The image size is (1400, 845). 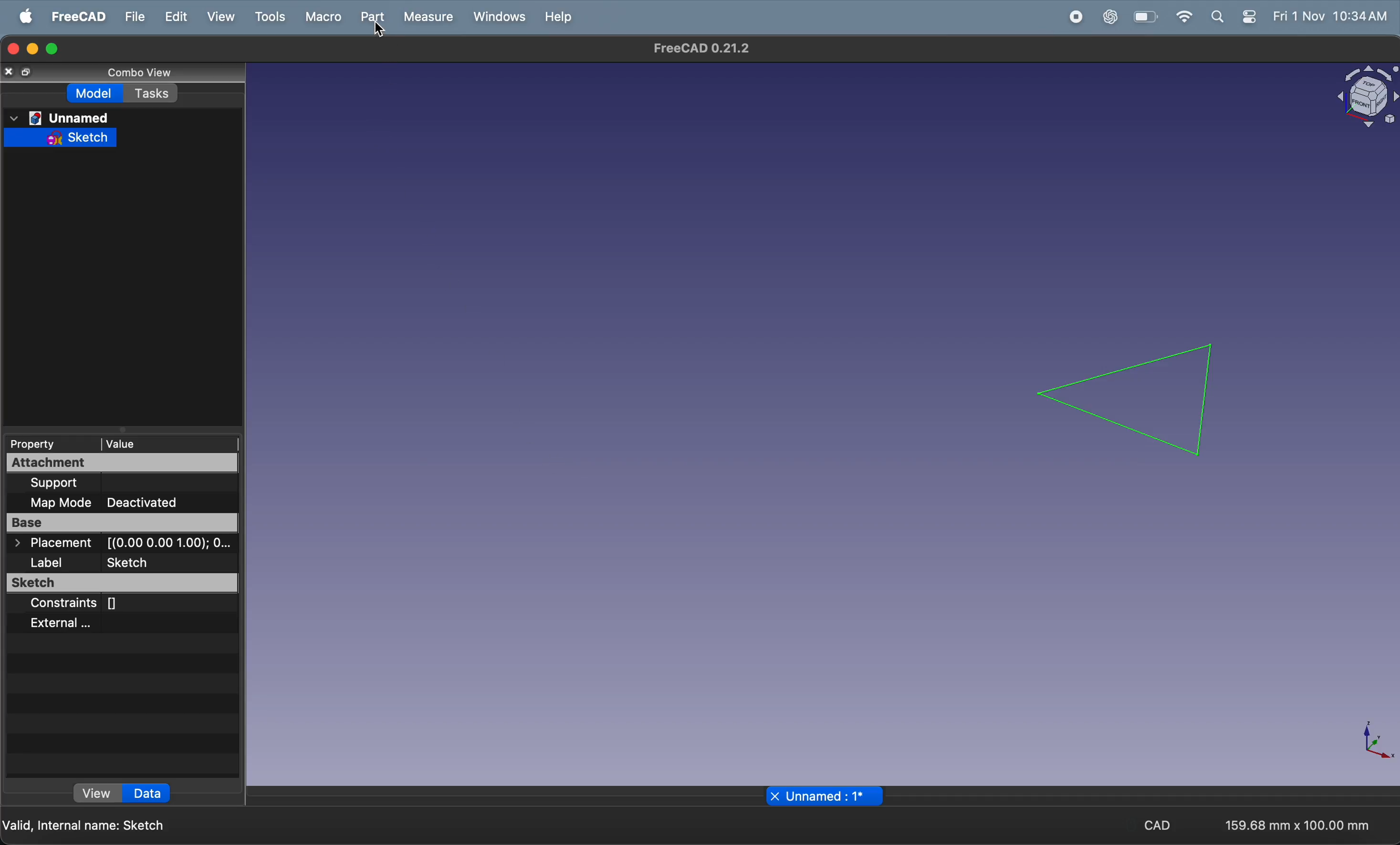 I want to click on constraints [], so click(x=109, y=604).